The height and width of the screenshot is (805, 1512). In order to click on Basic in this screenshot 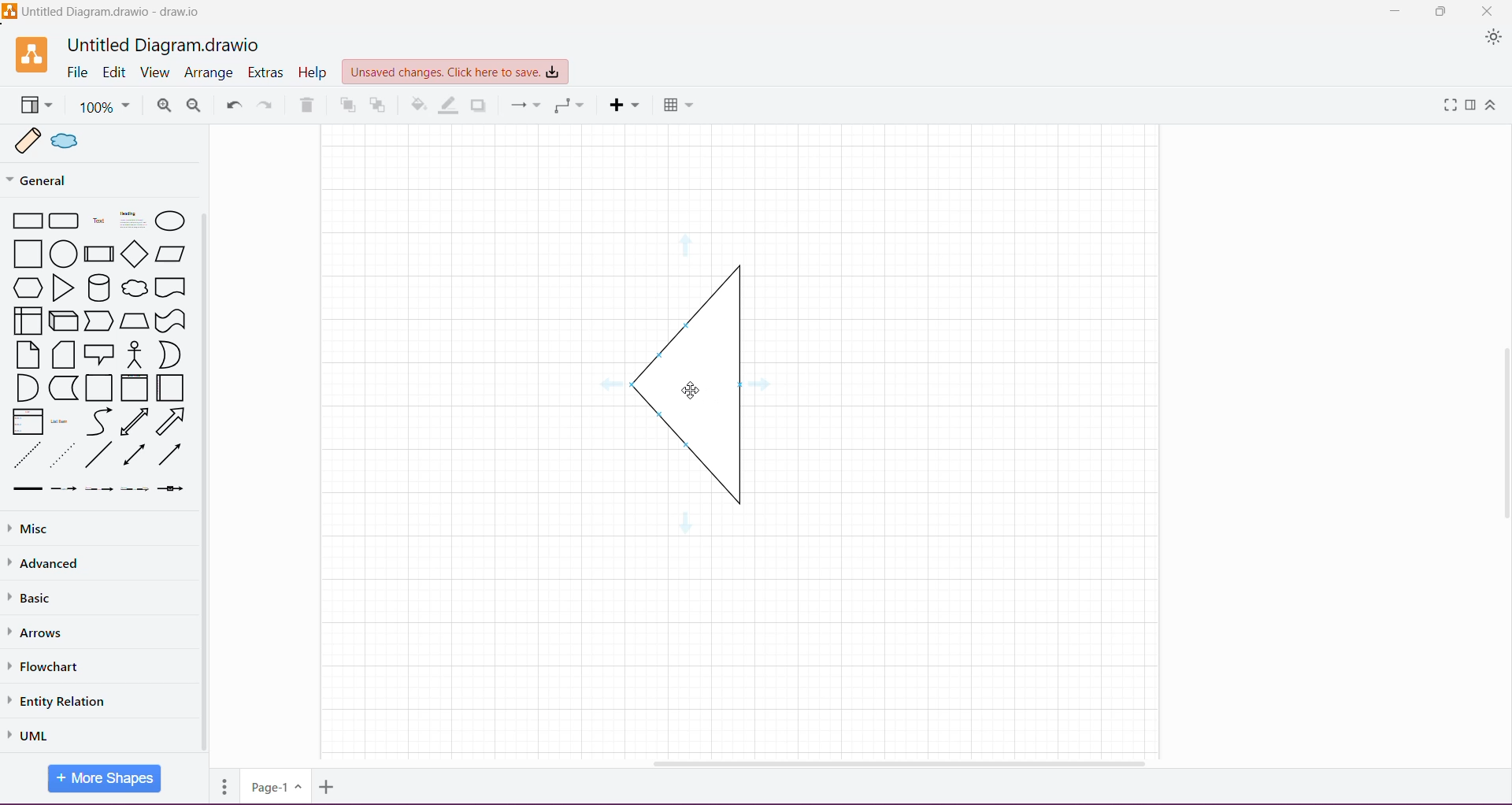, I will do `click(31, 600)`.